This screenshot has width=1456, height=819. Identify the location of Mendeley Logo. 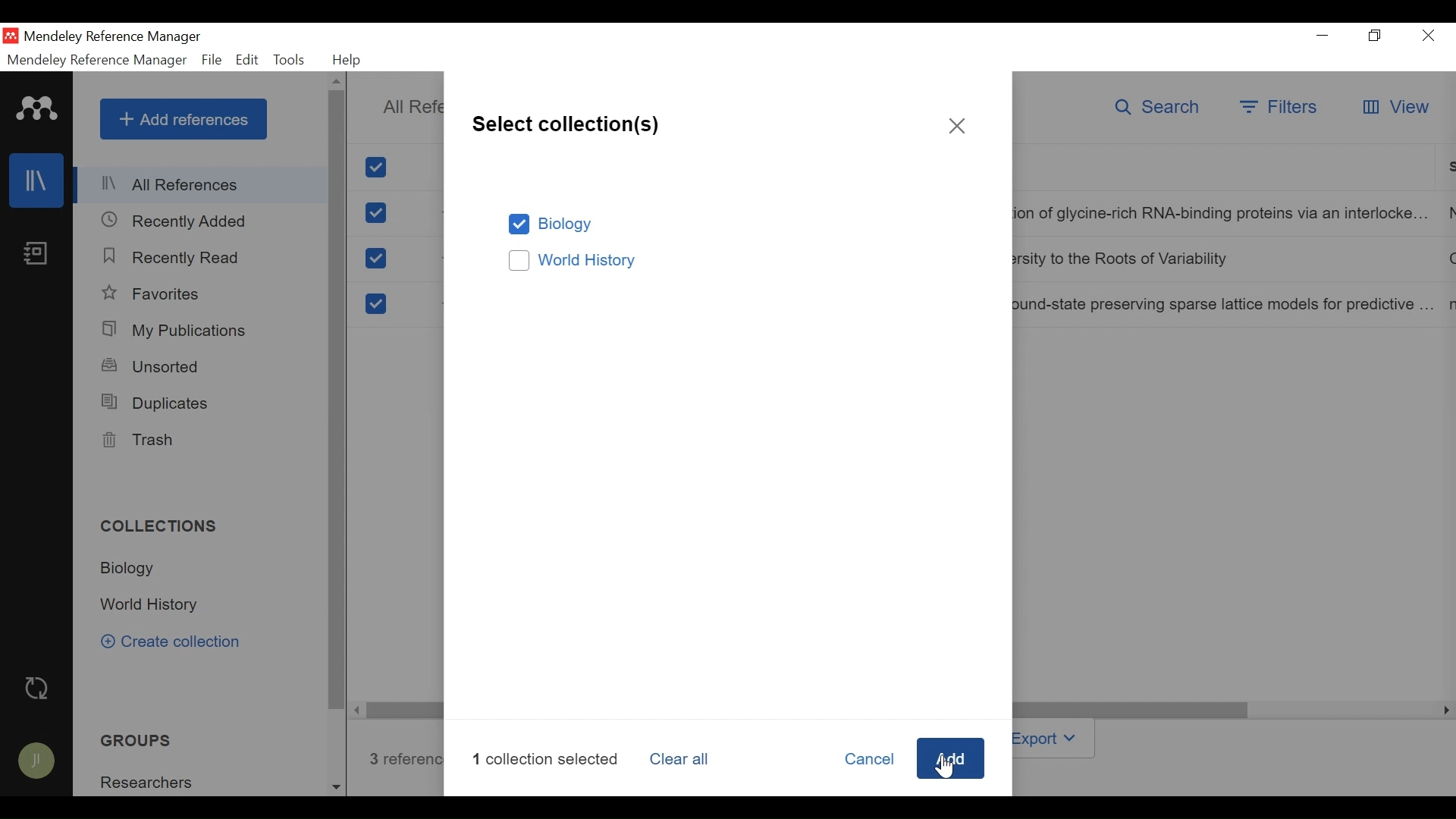
(37, 111).